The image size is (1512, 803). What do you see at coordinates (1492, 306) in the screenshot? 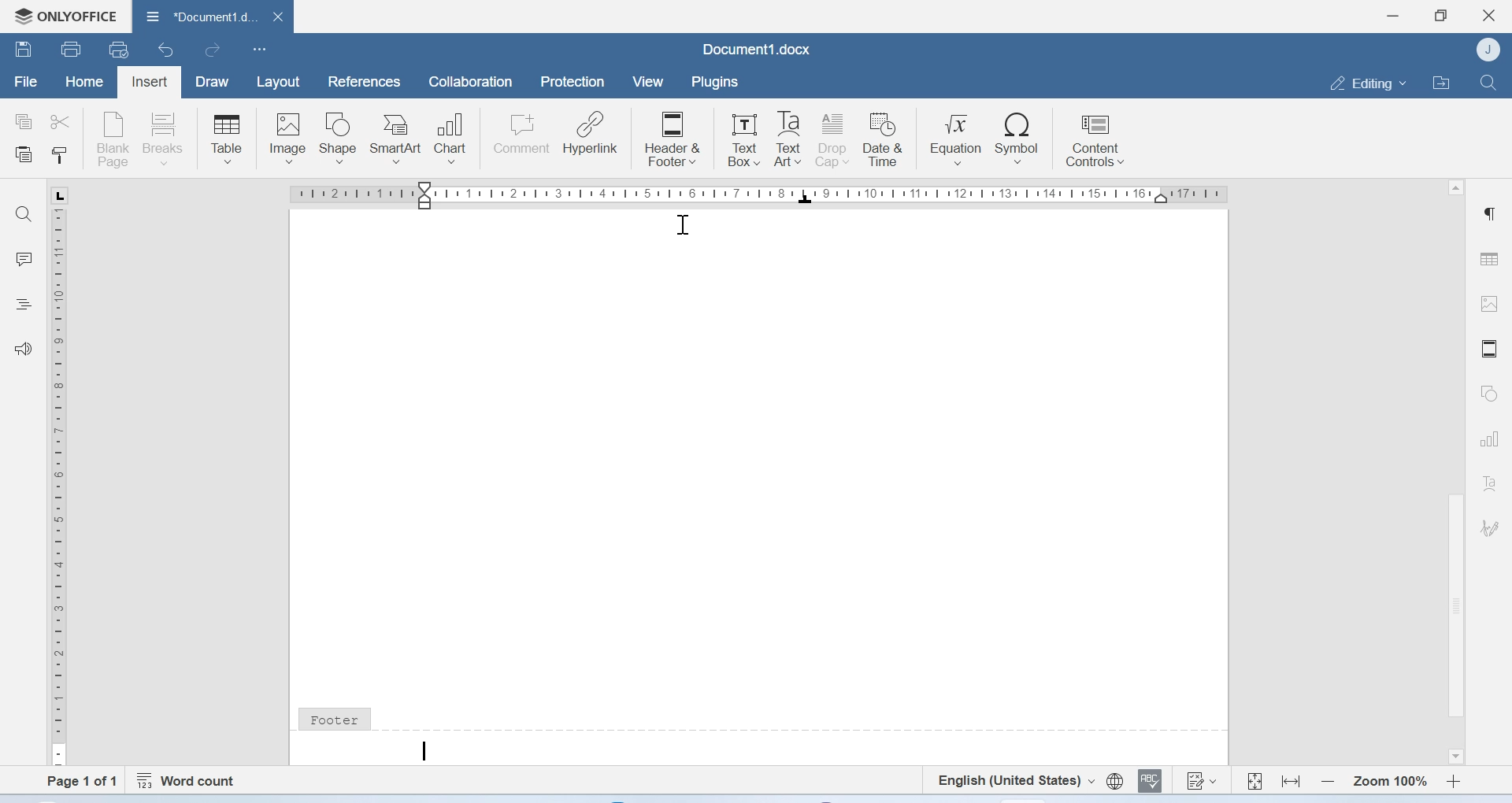
I see `Image` at bounding box center [1492, 306].